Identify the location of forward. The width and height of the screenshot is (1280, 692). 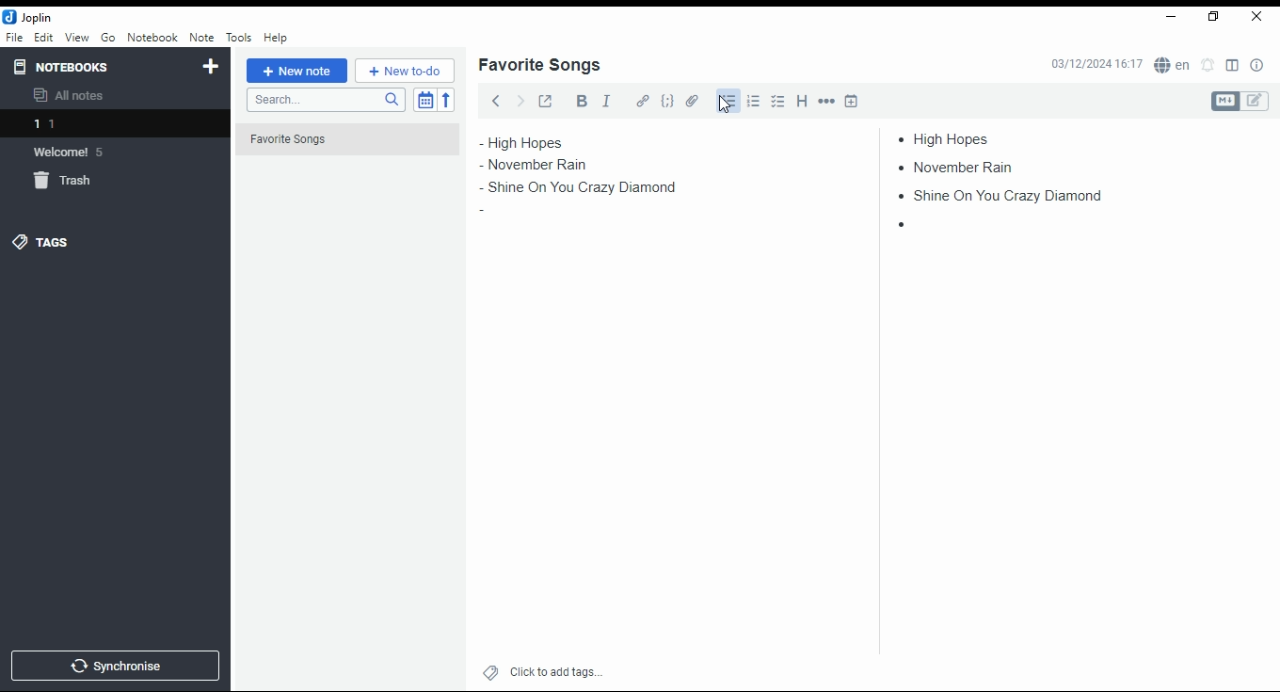
(520, 99).